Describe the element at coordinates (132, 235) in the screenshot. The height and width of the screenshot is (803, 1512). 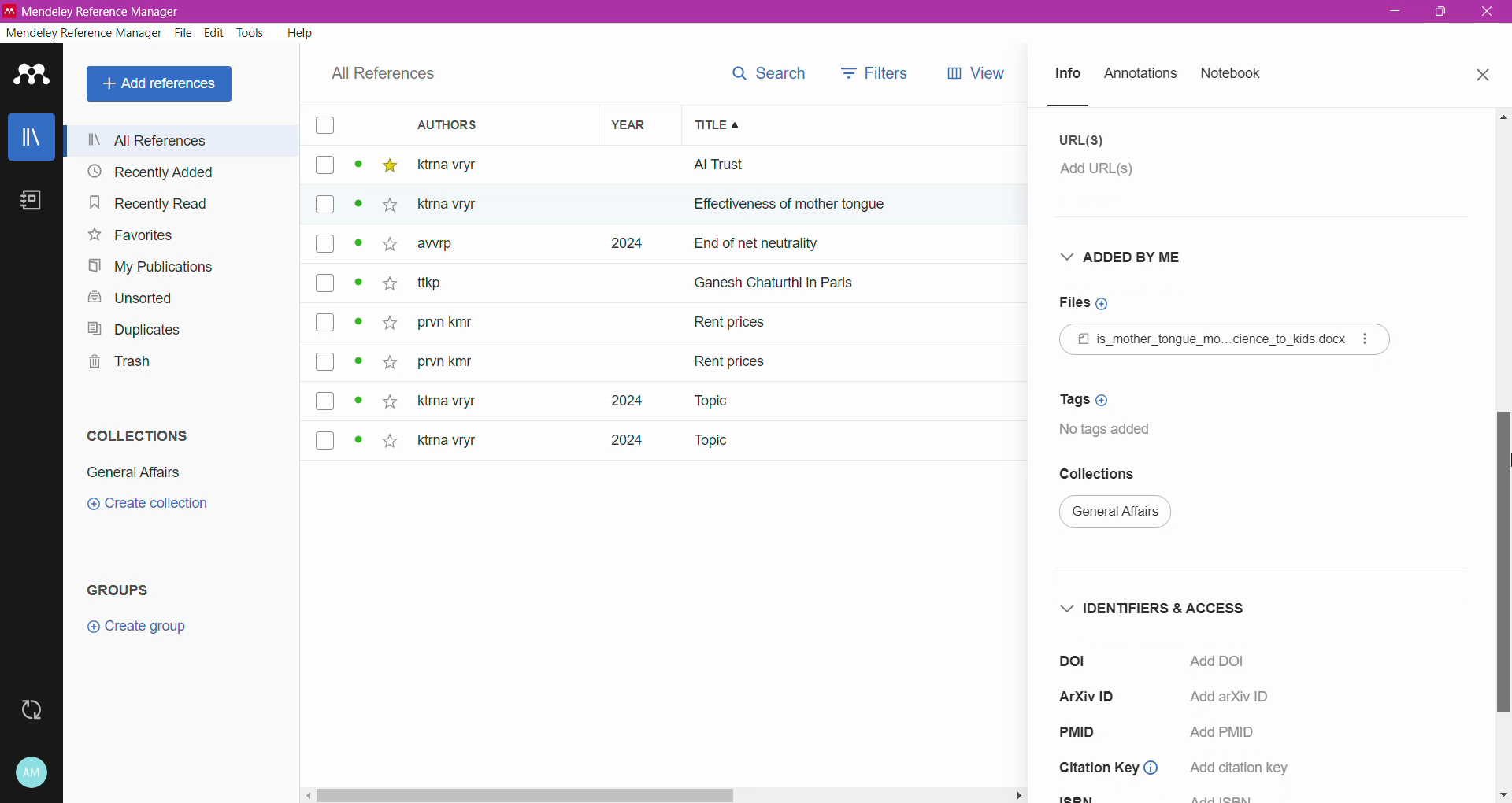
I see `Favorites` at that location.